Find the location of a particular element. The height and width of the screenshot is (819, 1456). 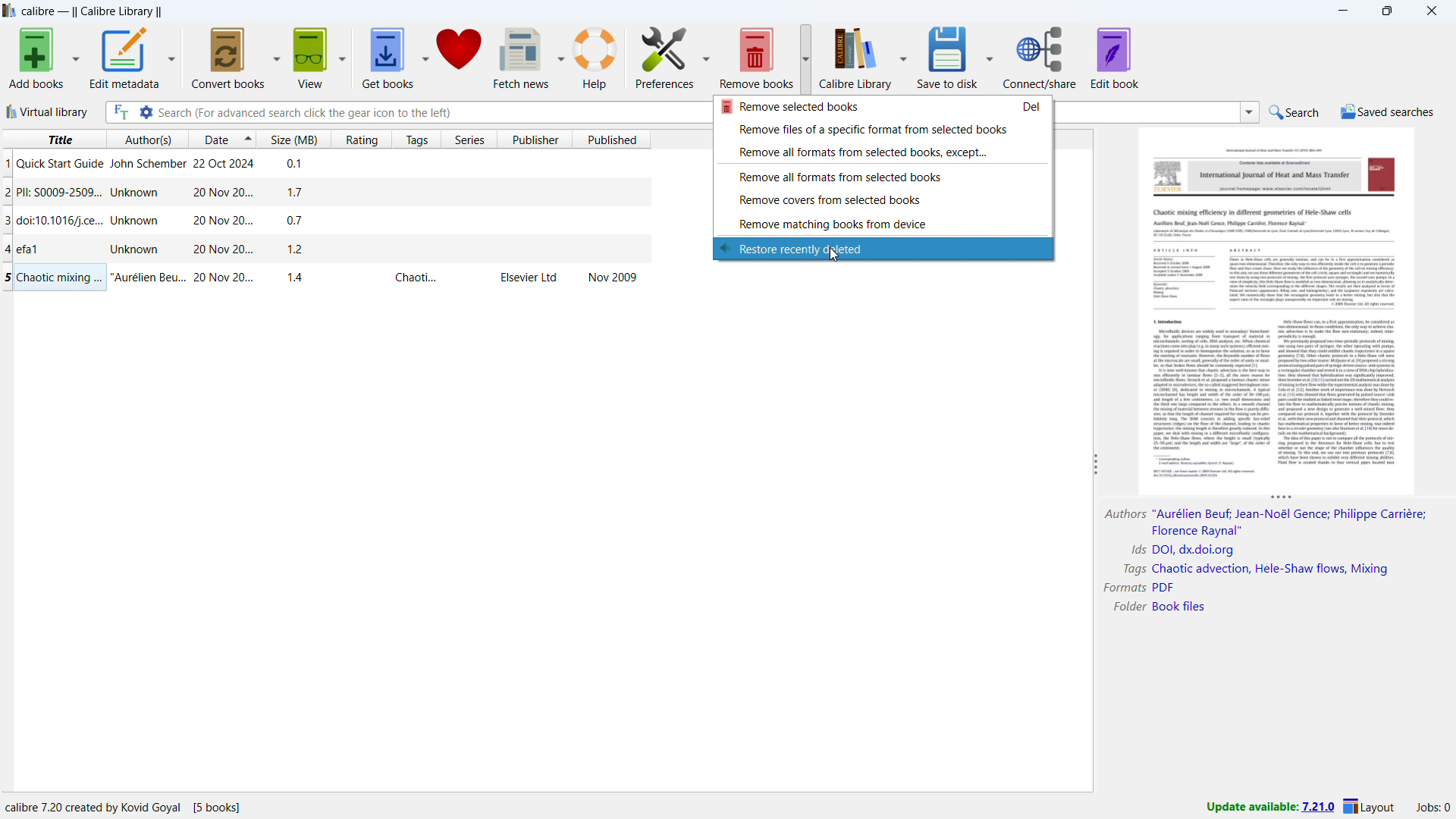

sort by size is located at coordinates (293, 138).